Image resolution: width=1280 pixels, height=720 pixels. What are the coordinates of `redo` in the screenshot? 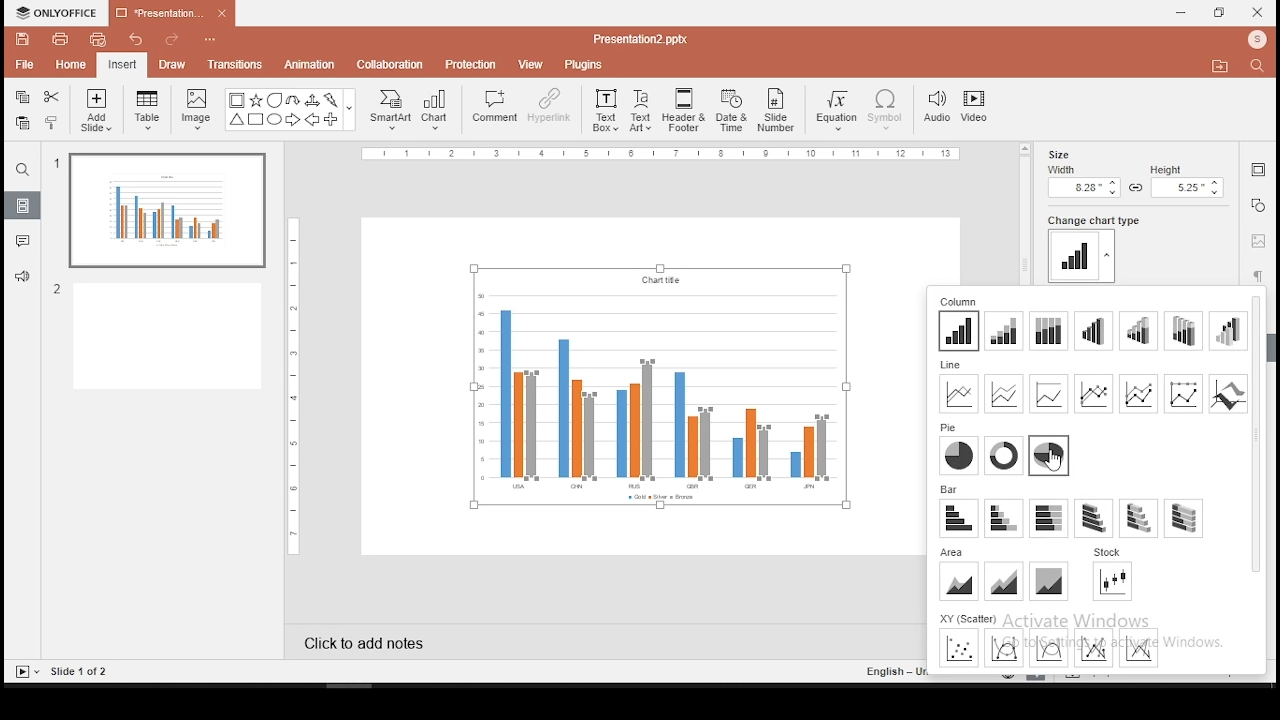 It's located at (167, 38).